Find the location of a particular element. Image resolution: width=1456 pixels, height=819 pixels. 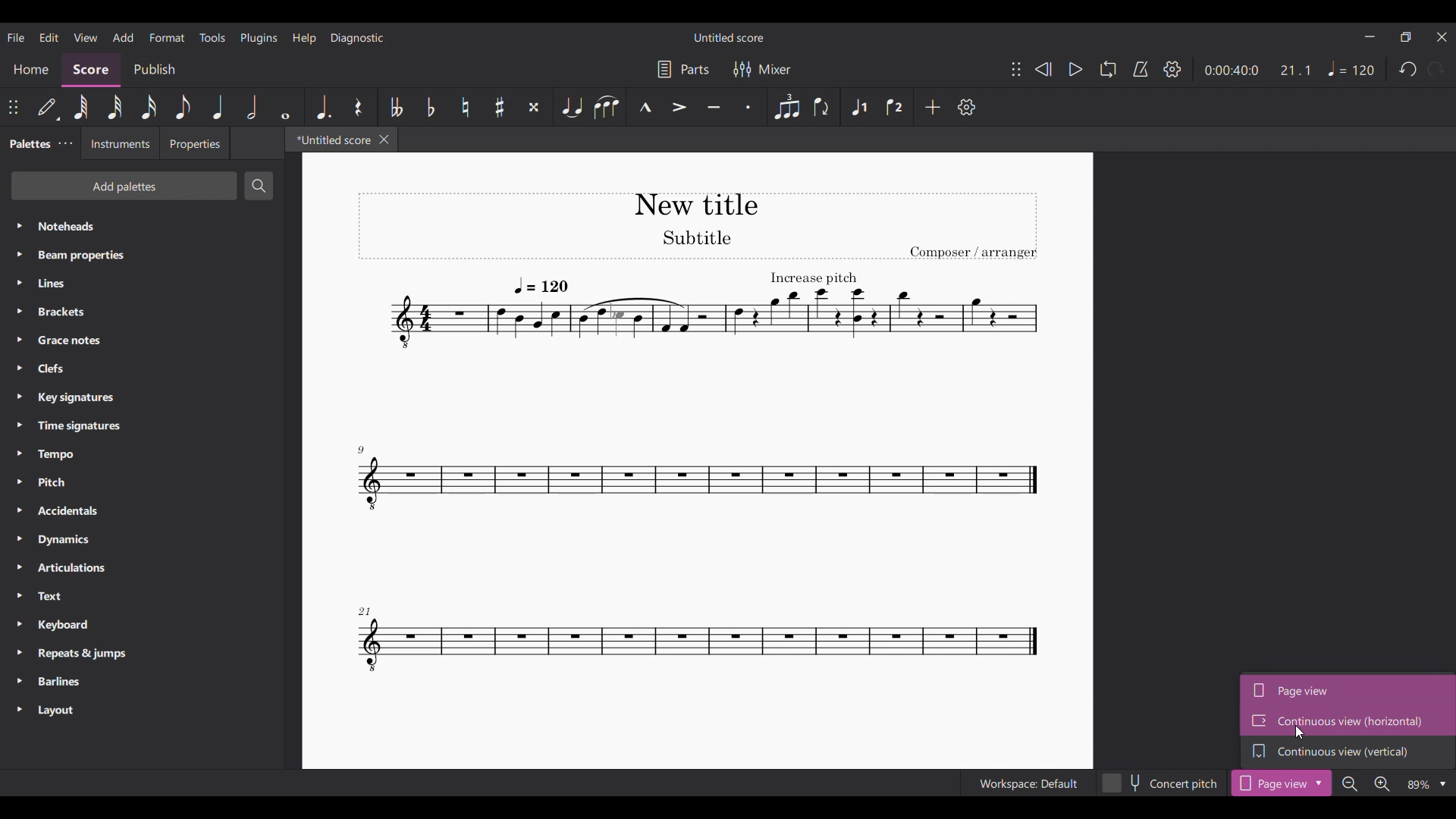

Rewind is located at coordinates (1043, 69).